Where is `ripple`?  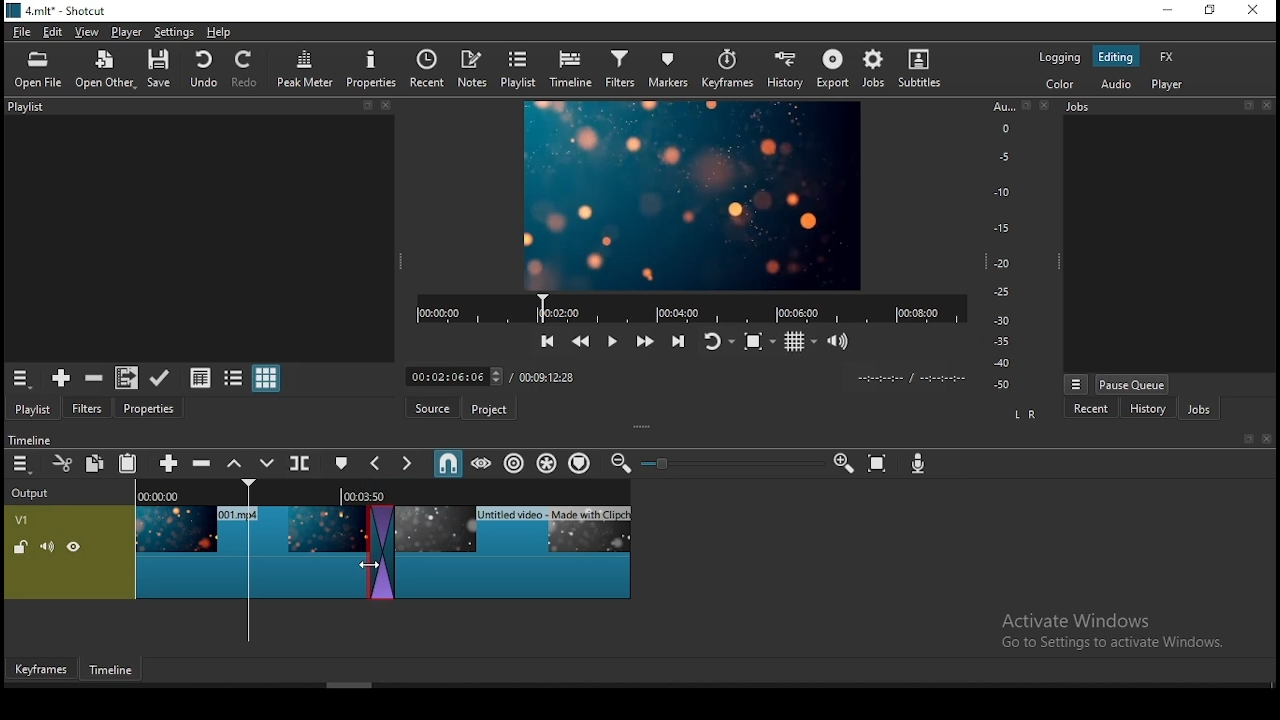 ripple is located at coordinates (515, 462).